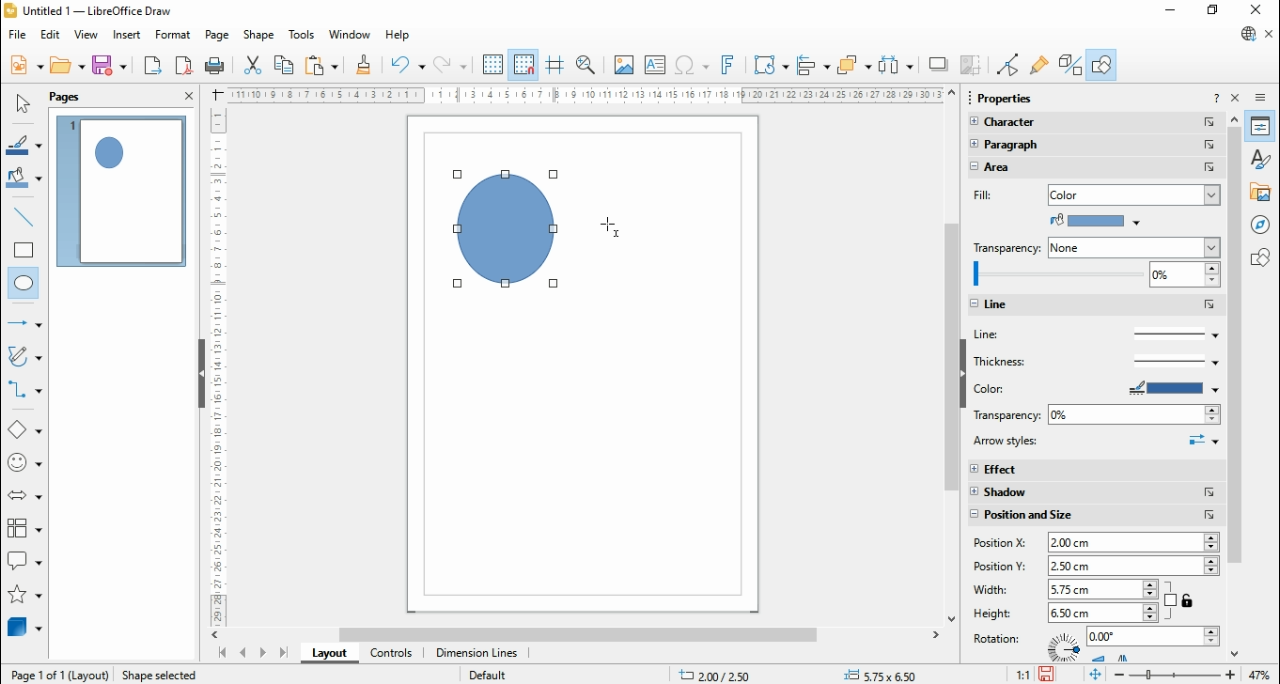 This screenshot has height=684, width=1280. I want to click on fill color, so click(986, 196).